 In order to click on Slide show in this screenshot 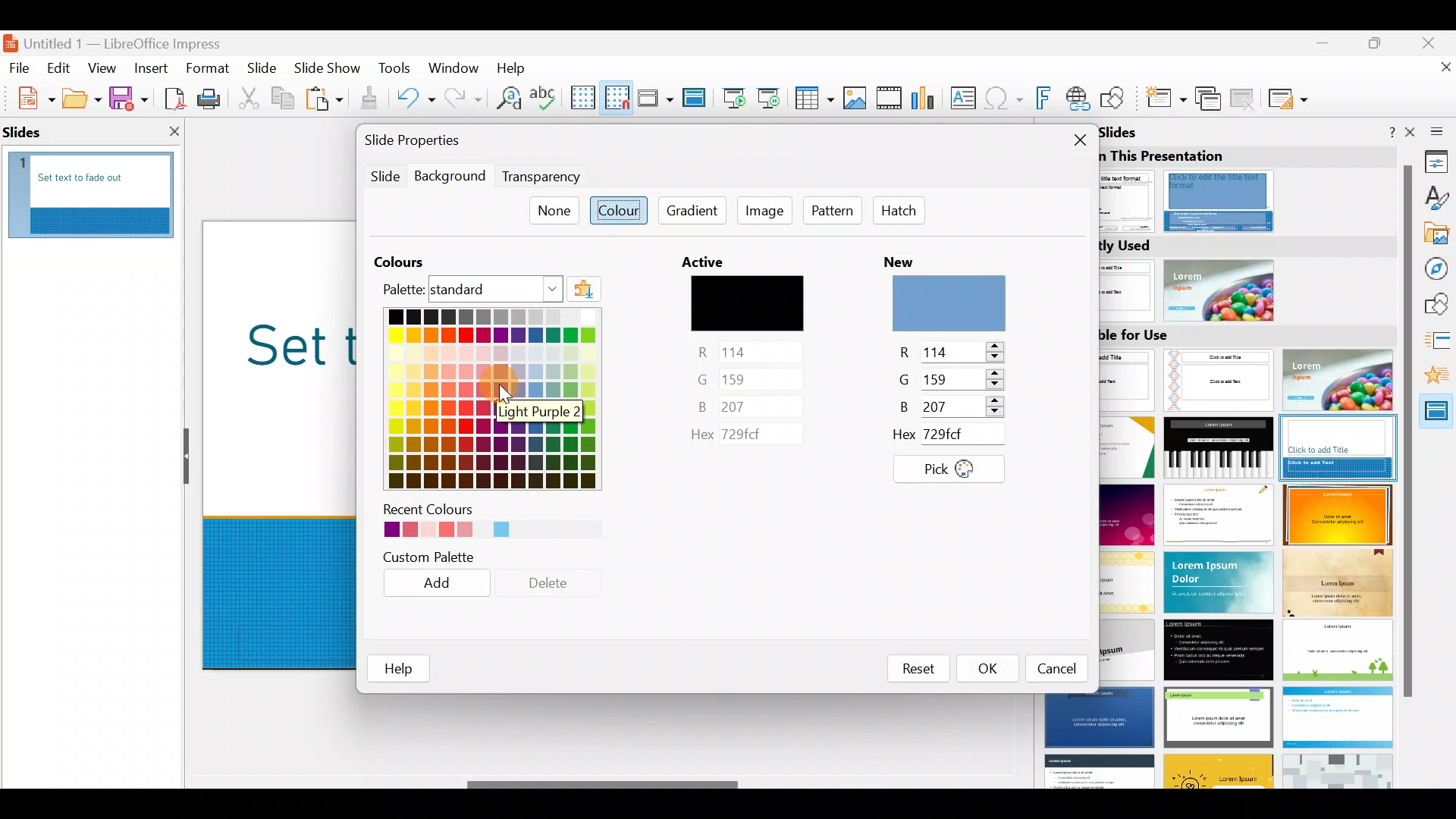, I will do `click(331, 70)`.